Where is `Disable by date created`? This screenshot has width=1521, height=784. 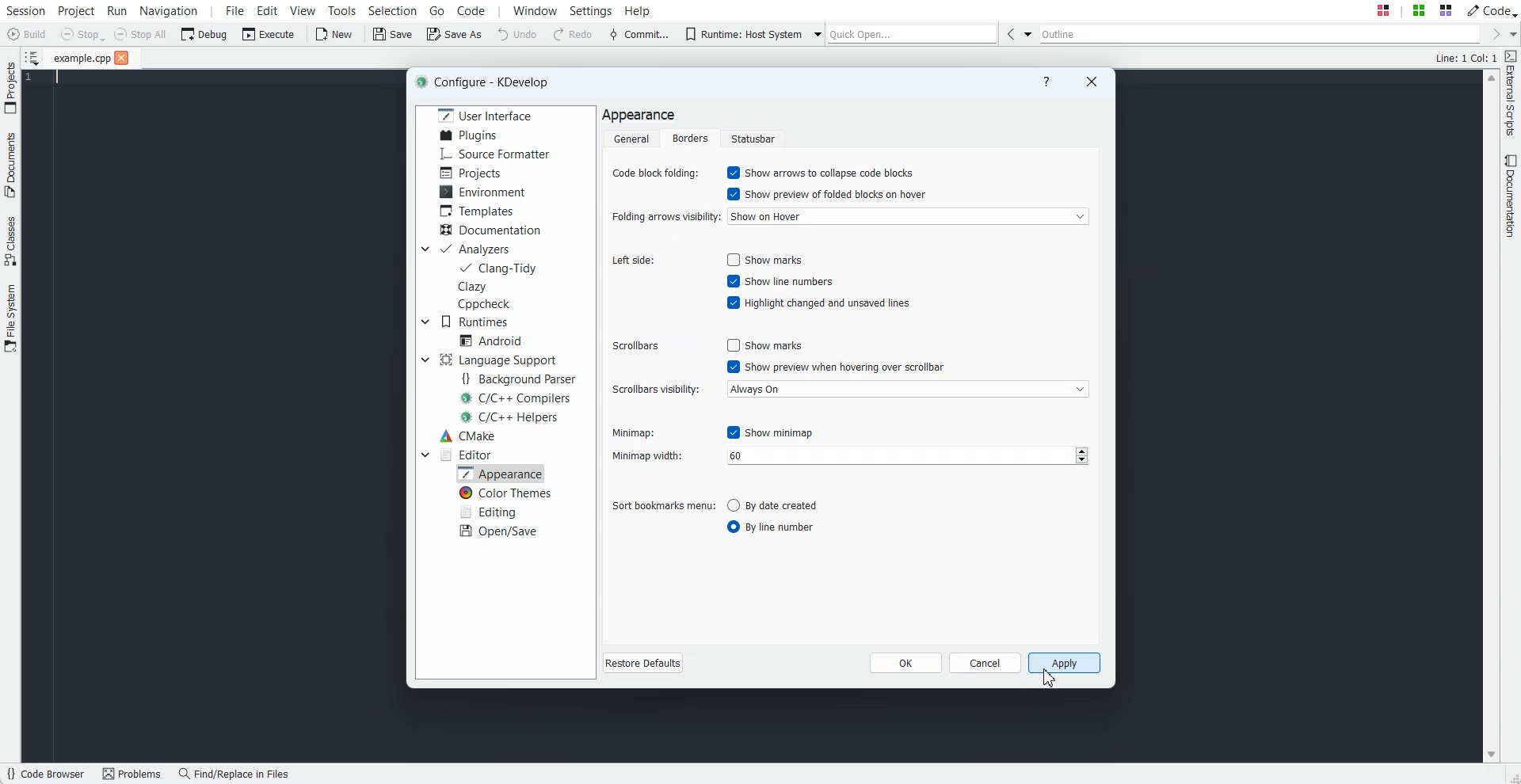 Disable by date created is located at coordinates (783, 504).